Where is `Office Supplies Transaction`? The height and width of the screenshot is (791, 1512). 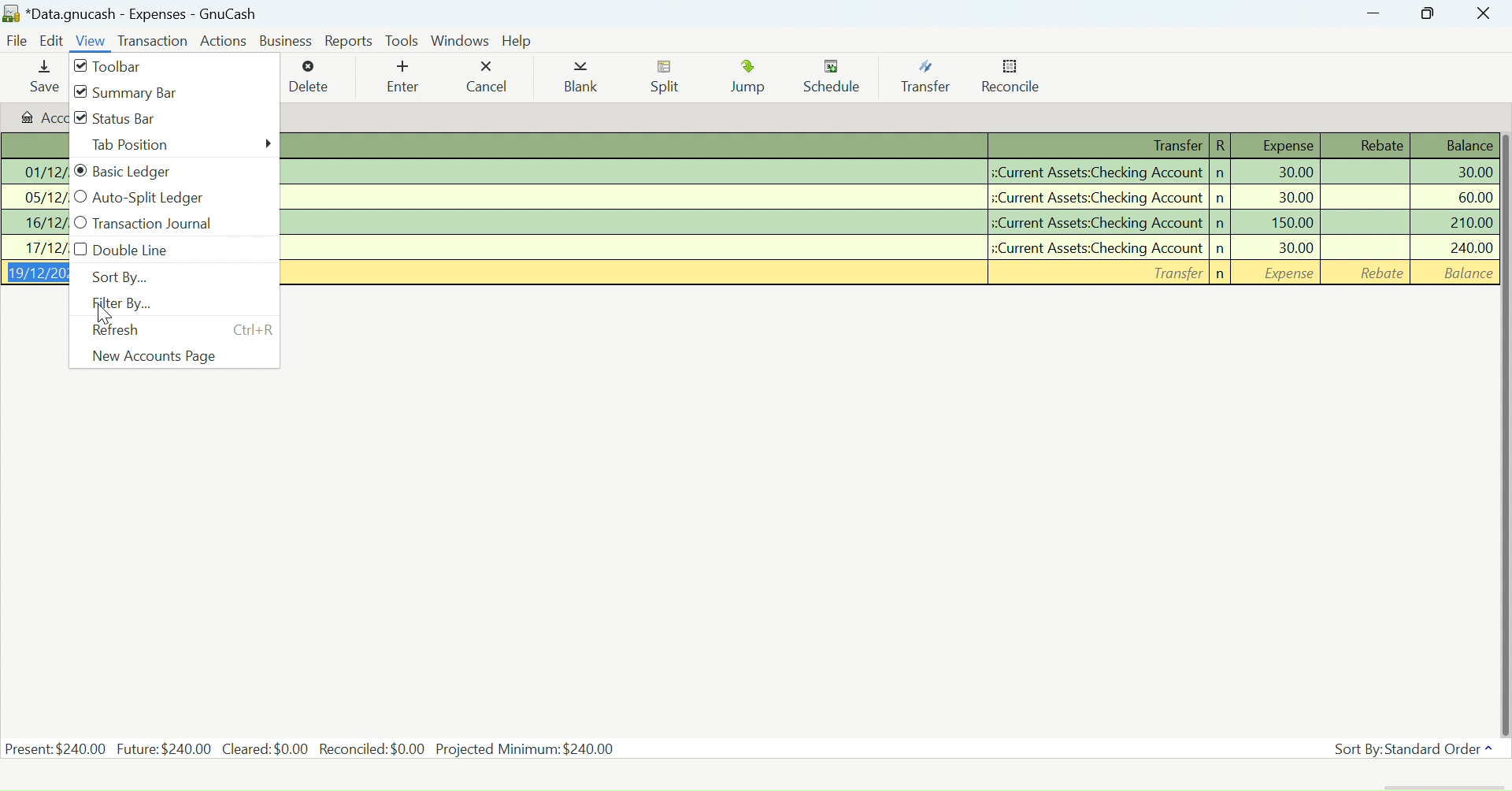 Office Supplies Transaction is located at coordinates (890, 247).